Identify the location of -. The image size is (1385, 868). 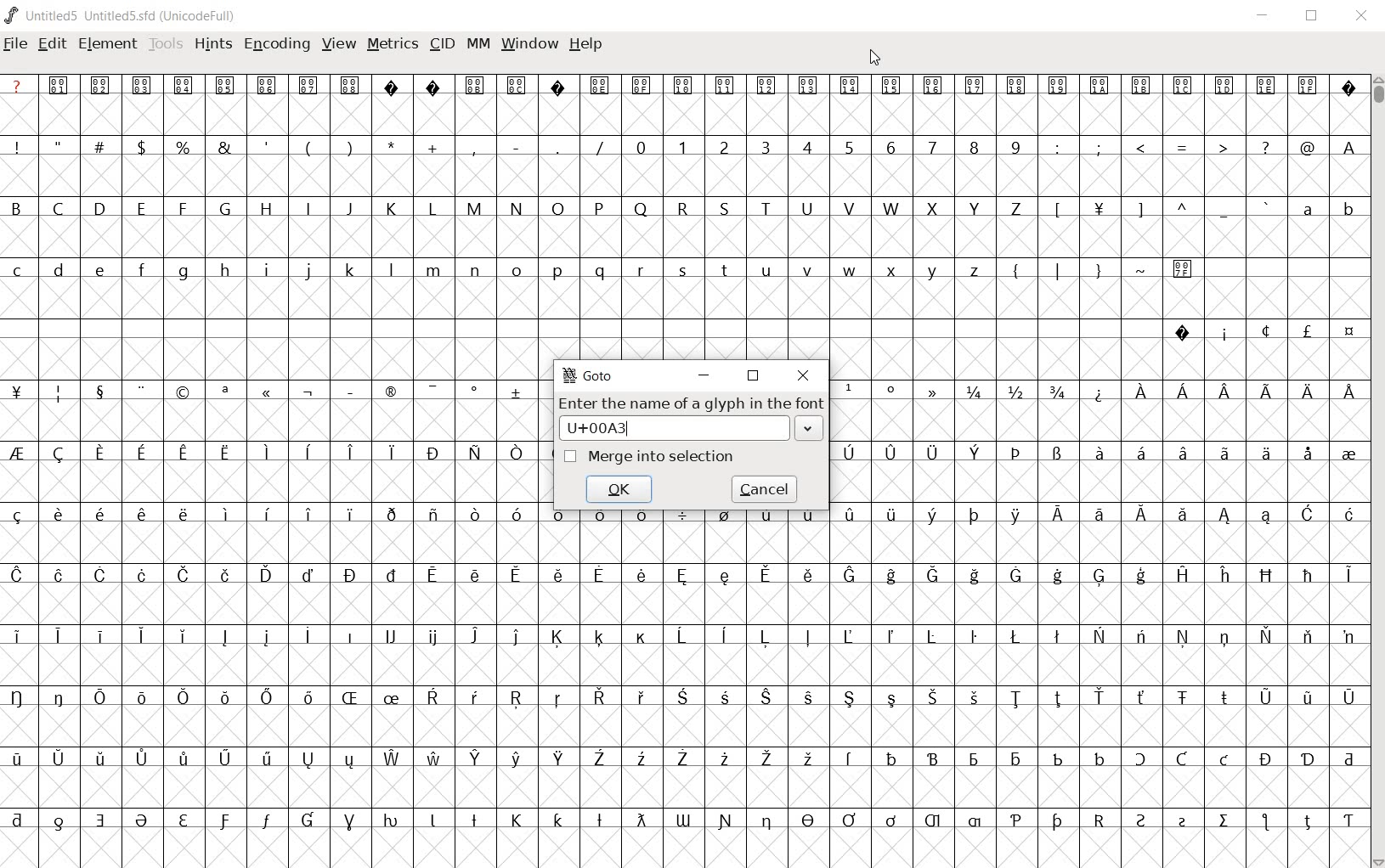
(516, 146).